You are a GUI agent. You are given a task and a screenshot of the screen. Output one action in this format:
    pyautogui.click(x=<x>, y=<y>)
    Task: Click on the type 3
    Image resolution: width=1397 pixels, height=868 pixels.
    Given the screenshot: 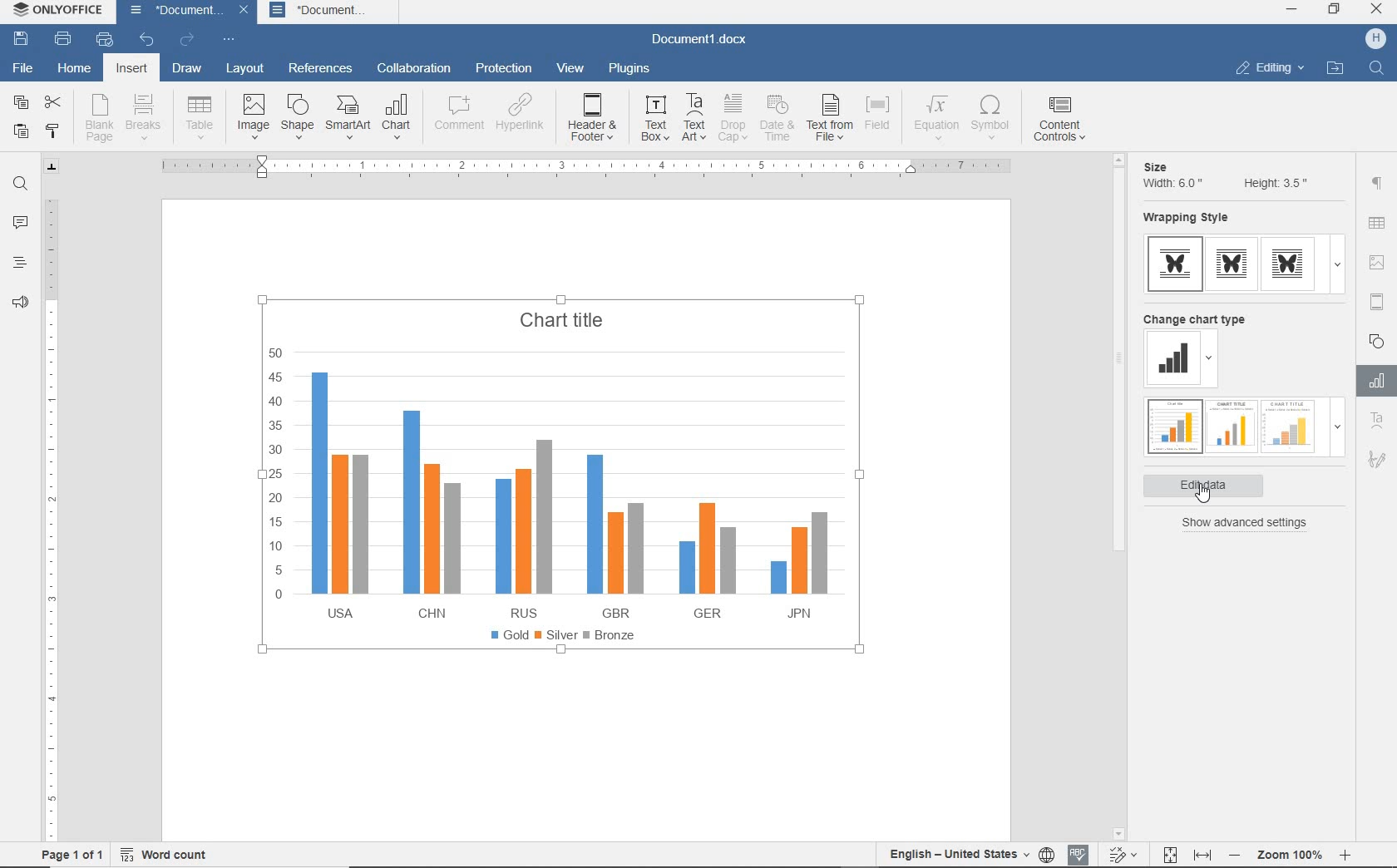 What is the action you would take?
    pyautogui.click(x=1292, y=264)
    